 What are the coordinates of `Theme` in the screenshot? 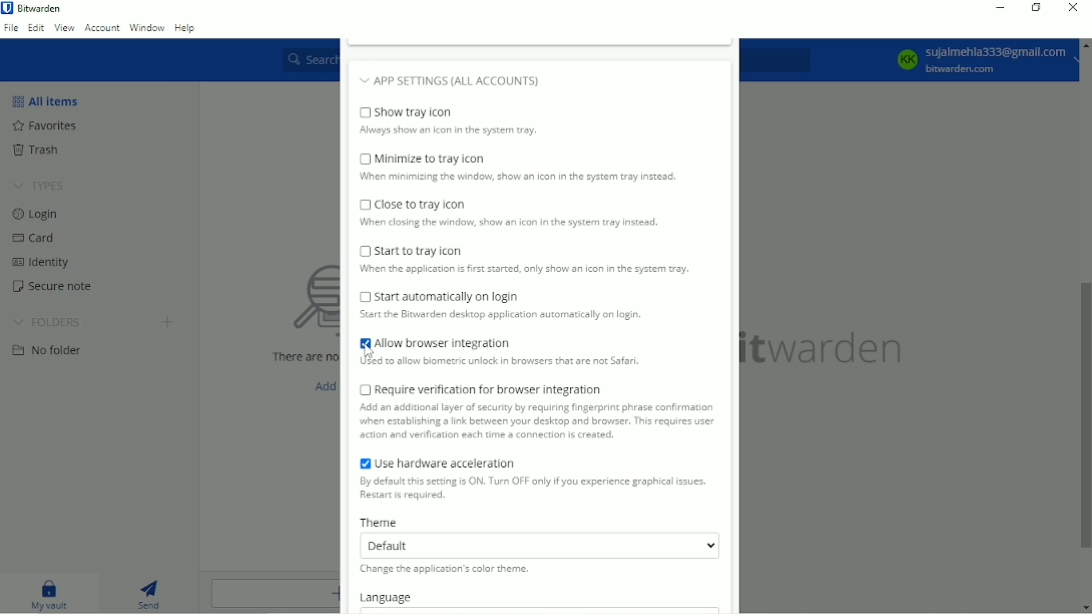 It's located at (380, 521).